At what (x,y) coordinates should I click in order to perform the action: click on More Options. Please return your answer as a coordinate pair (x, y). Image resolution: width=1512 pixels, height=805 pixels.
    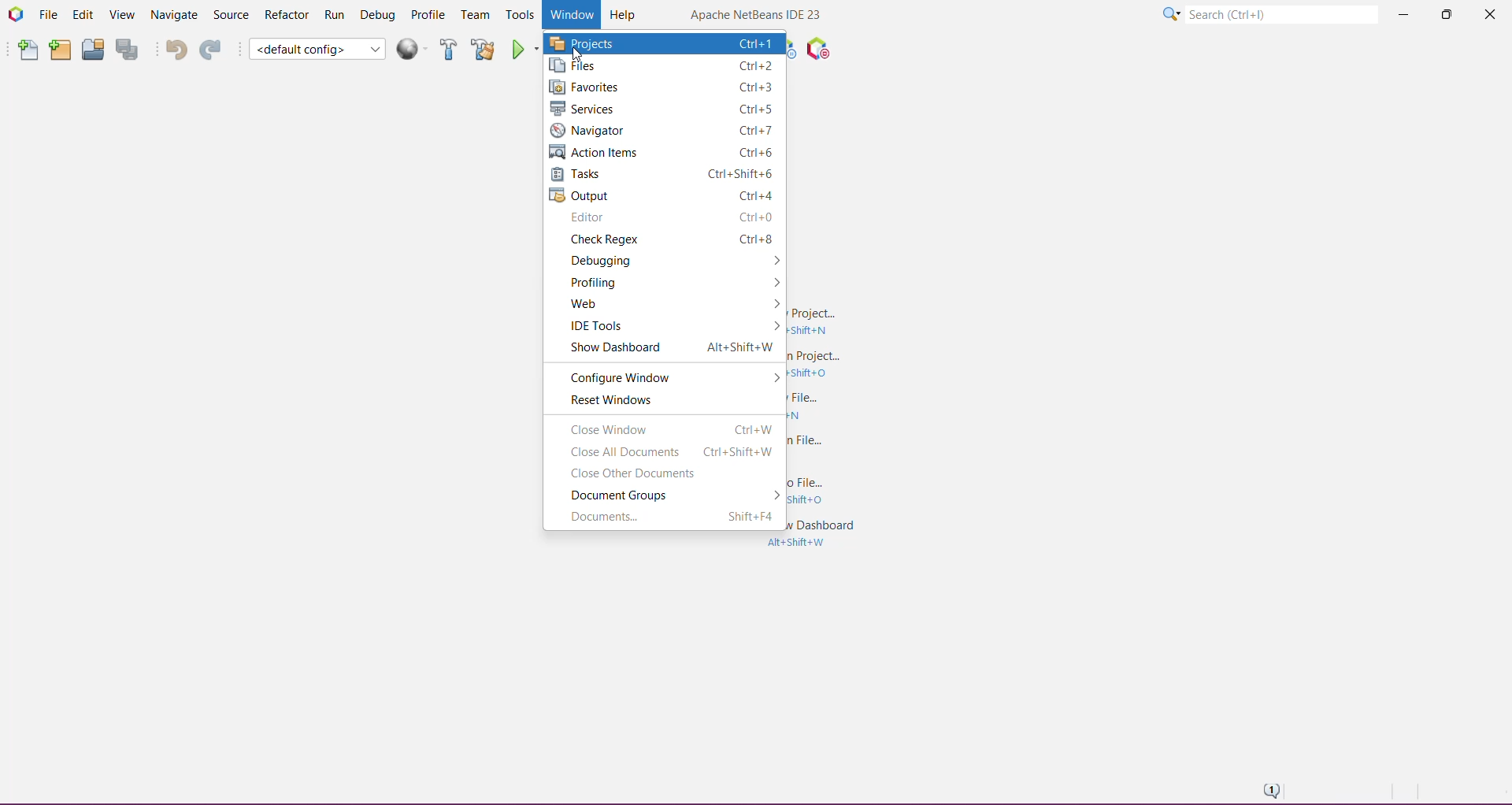
    Looking at the image, I should click on (775, 306).